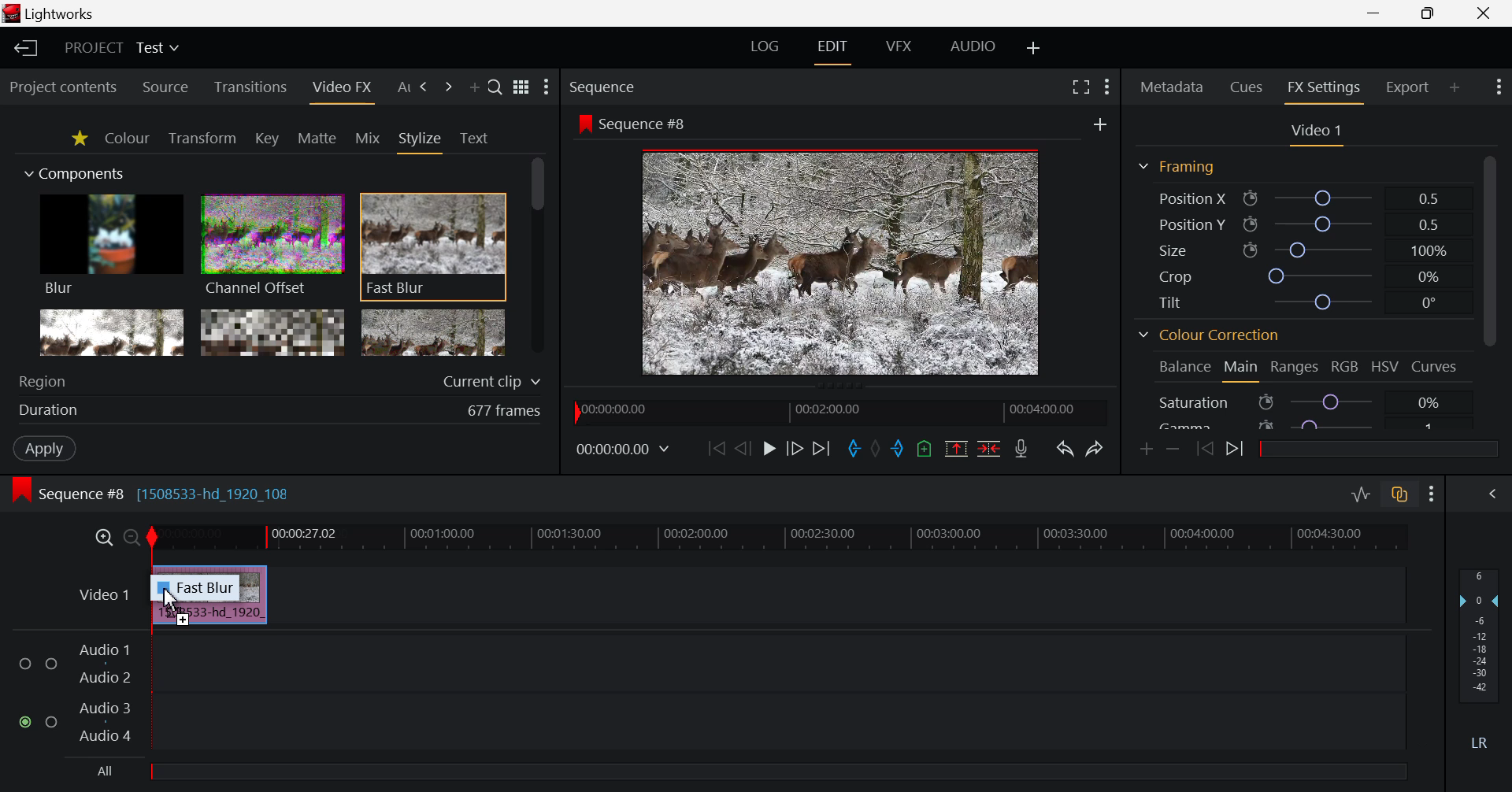 This screenshot has height=792, width=1512. What do you see at coordinates (835, 53) in the screenshot?
I see `EDIT Layout` at bounding box center [835, 53].